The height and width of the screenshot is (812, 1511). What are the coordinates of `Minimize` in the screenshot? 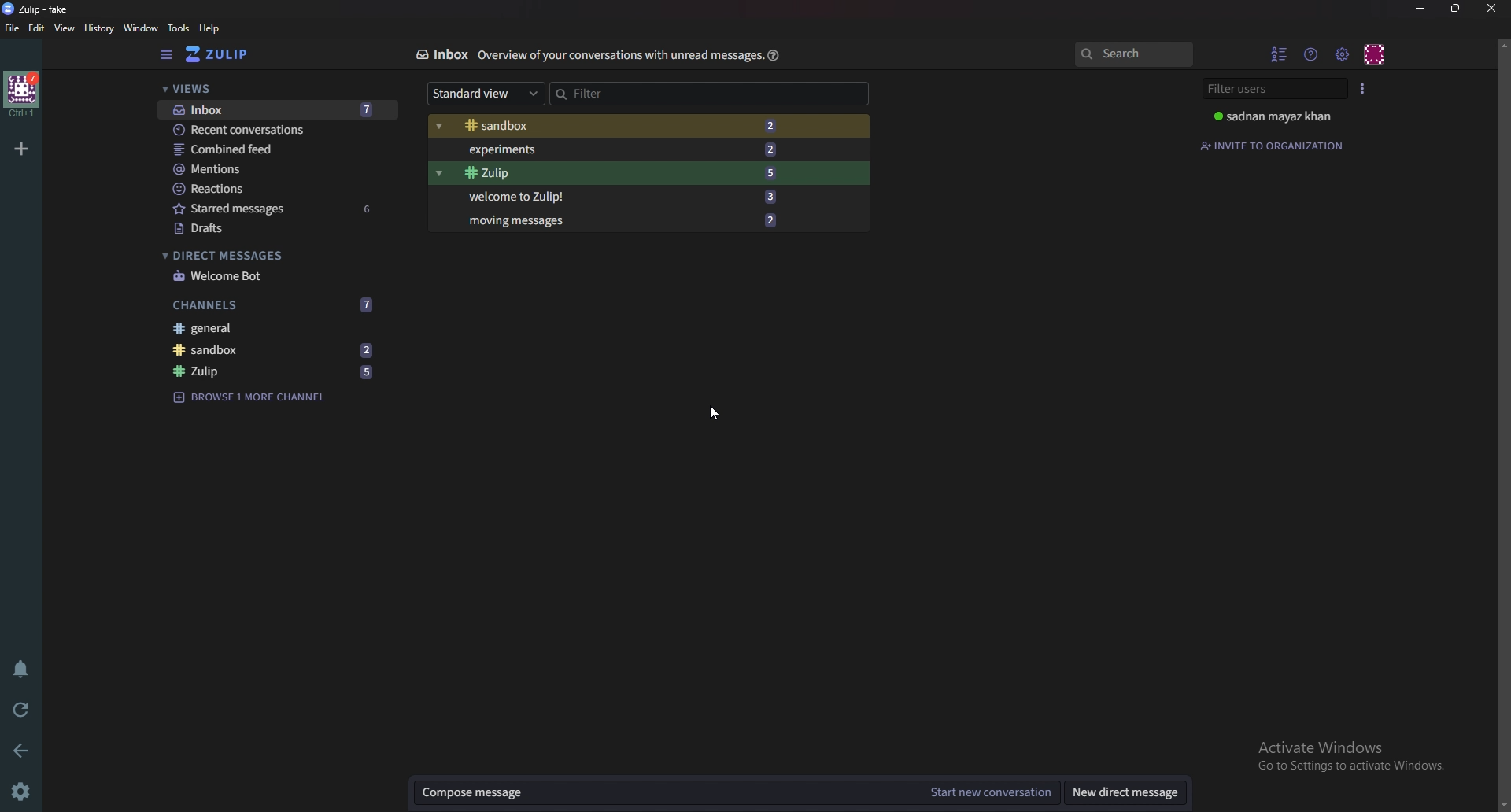 It's located at (1421, 8).